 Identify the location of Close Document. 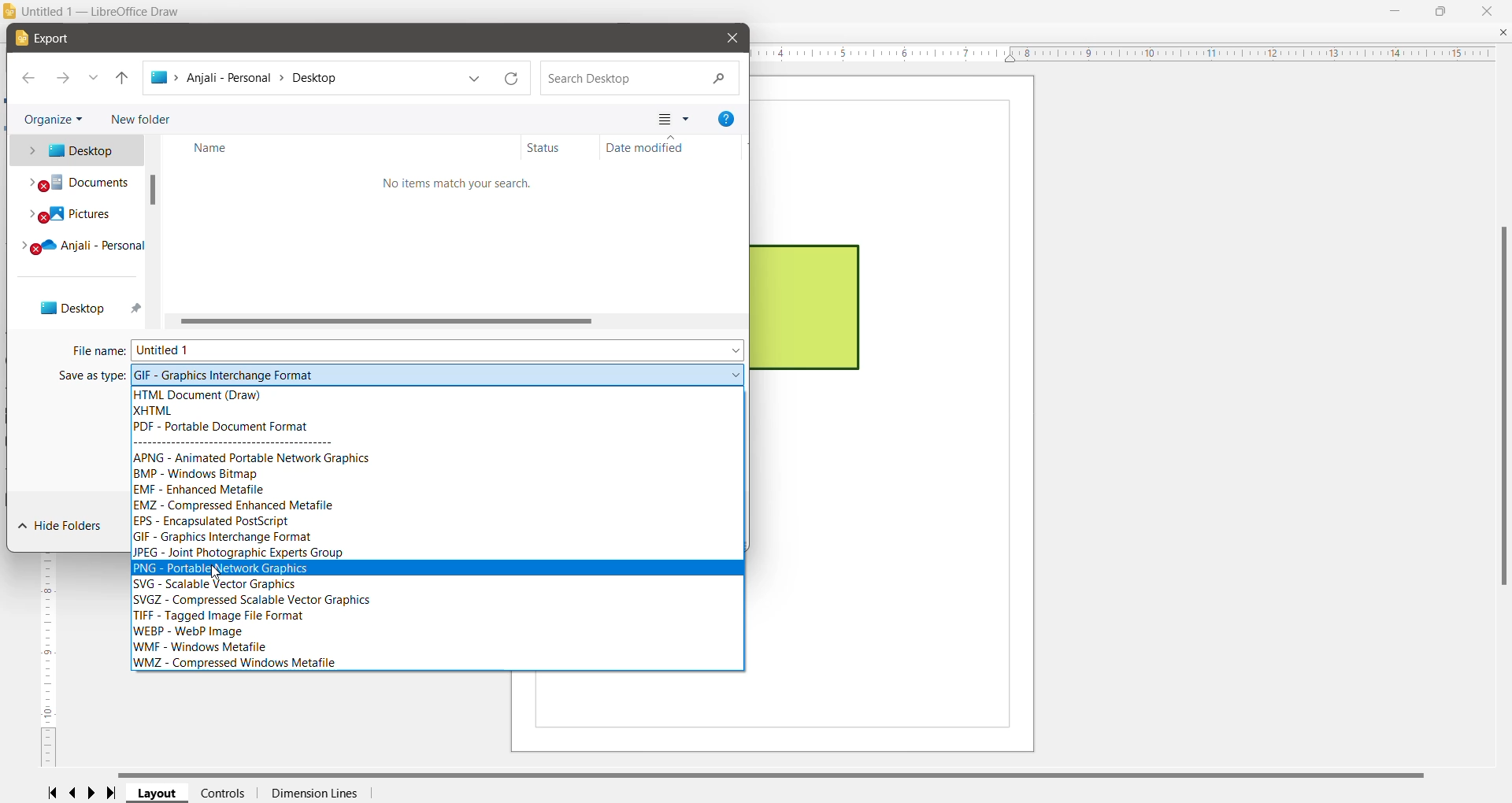
(1503, 33).